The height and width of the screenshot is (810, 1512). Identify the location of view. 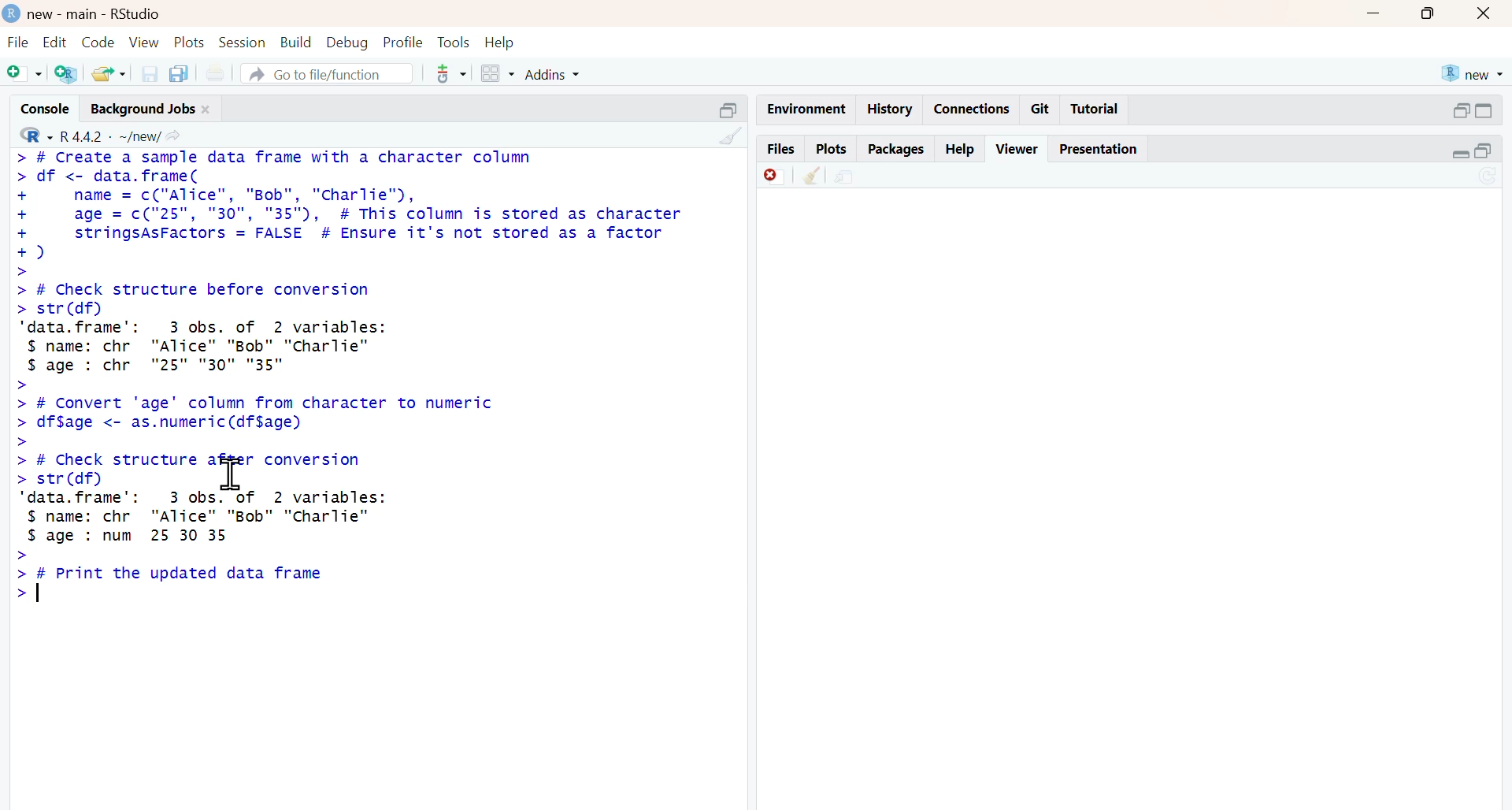
(144, 43).